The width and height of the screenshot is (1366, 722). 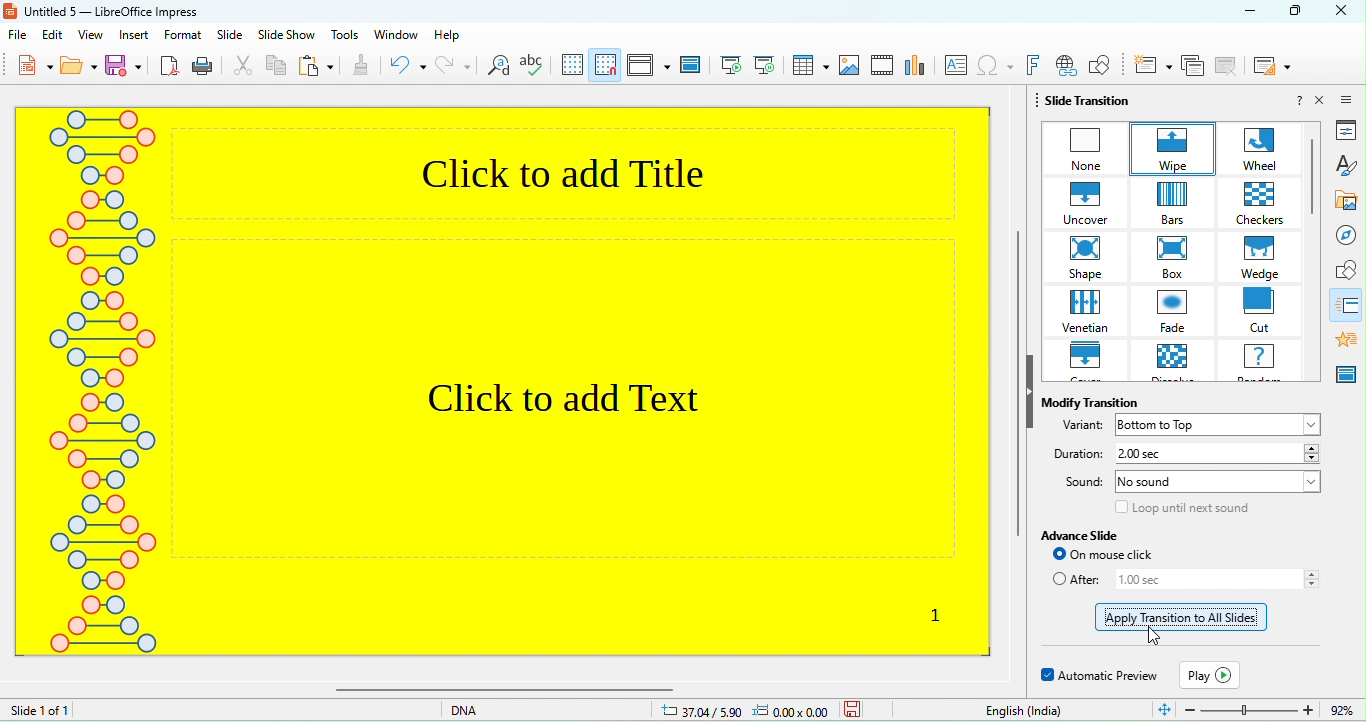 What do you see at coordinates (1086, 205) in the screenshot?
I see `uncover` at bounding box center [1086, 205].